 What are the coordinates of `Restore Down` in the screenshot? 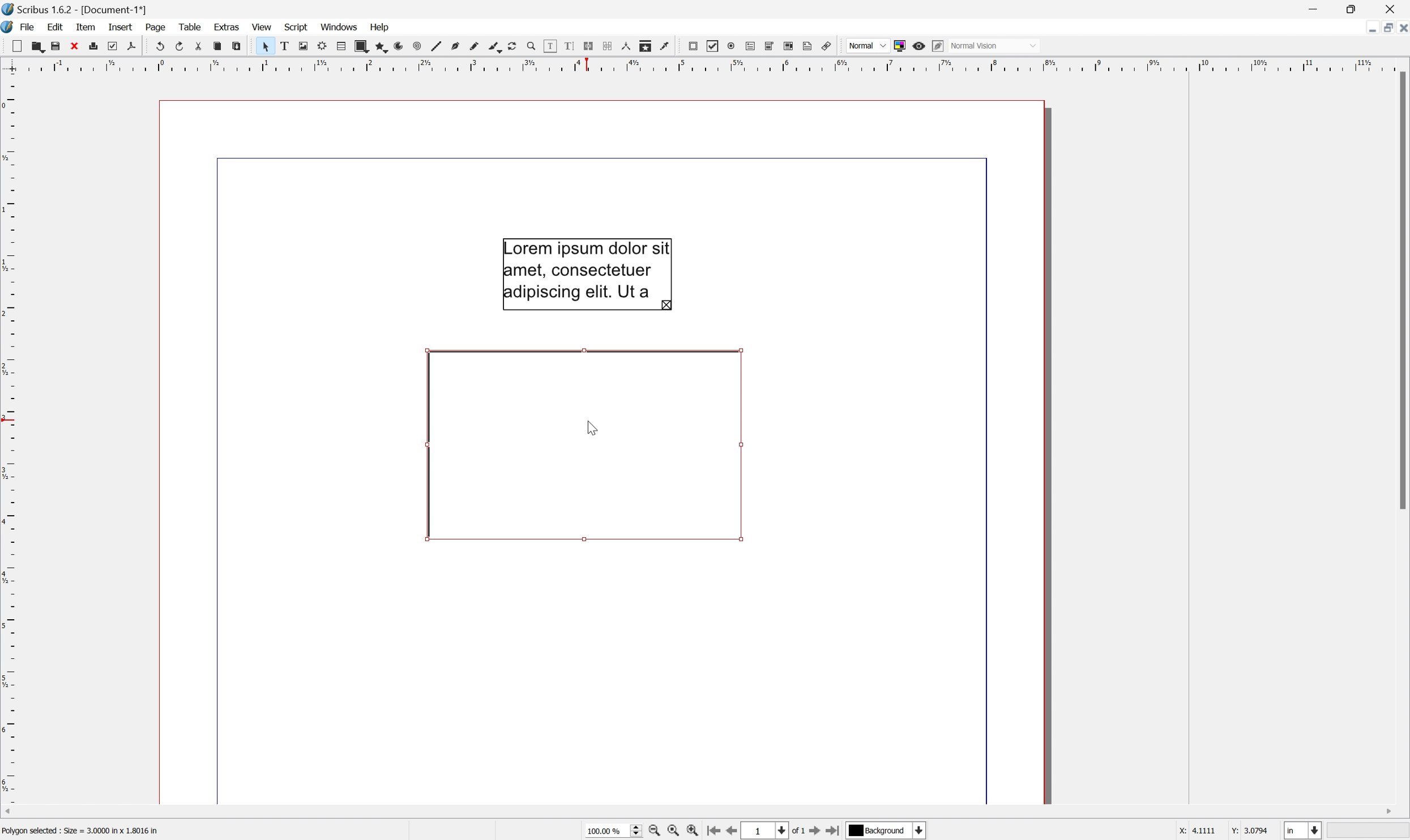 It's located at (1351, 7).